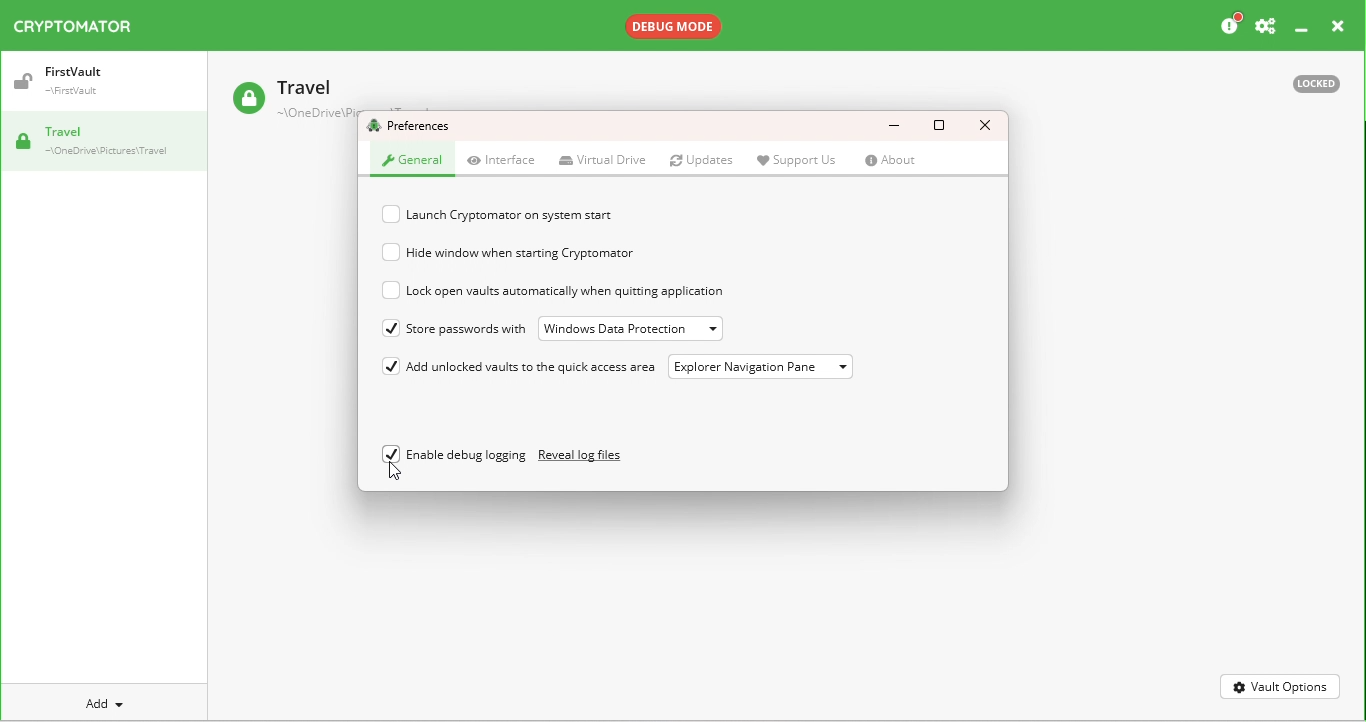  I want to click on Launch cryptomator on system start, so click(551, 214).